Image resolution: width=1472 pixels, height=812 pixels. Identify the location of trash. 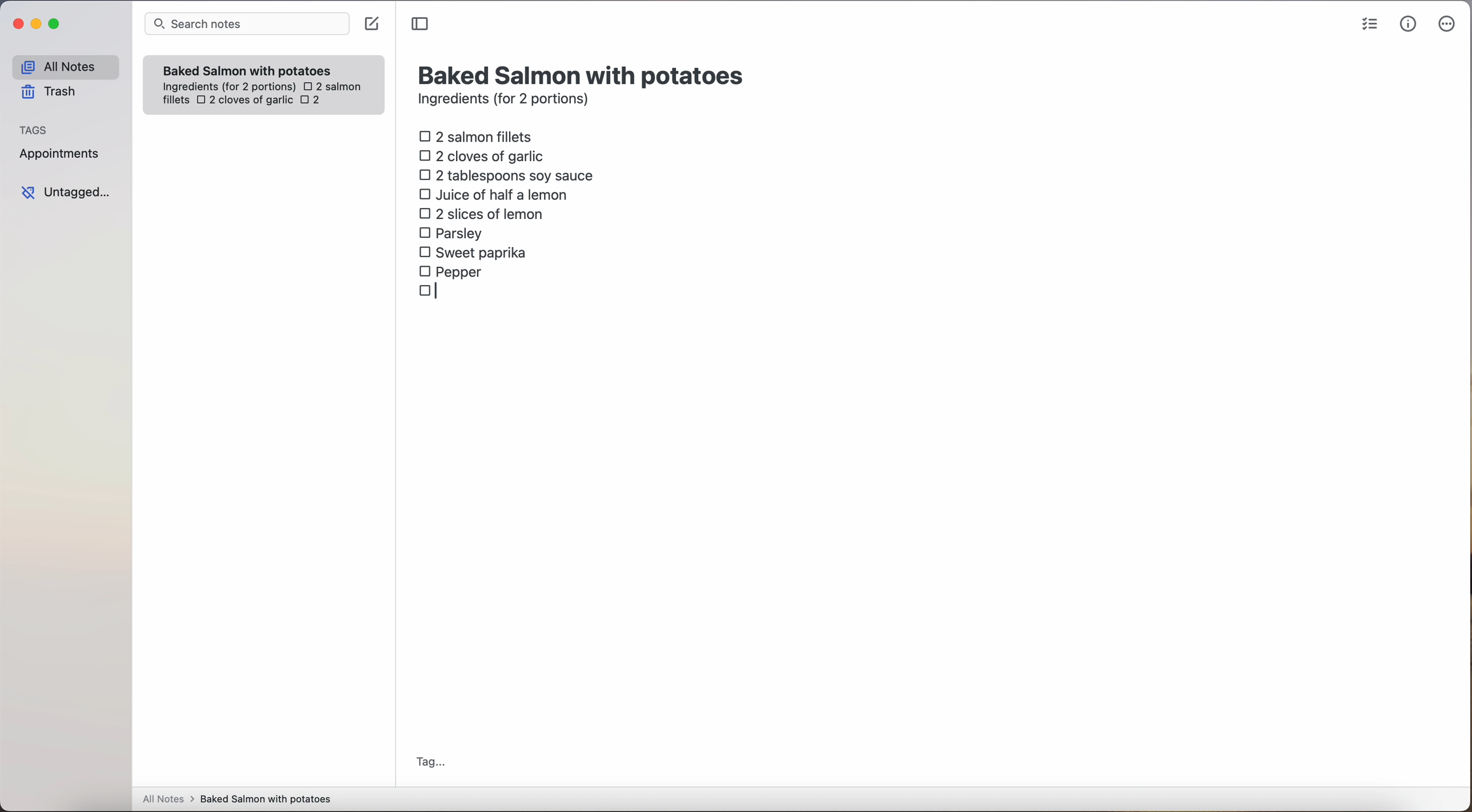
(53, 92).